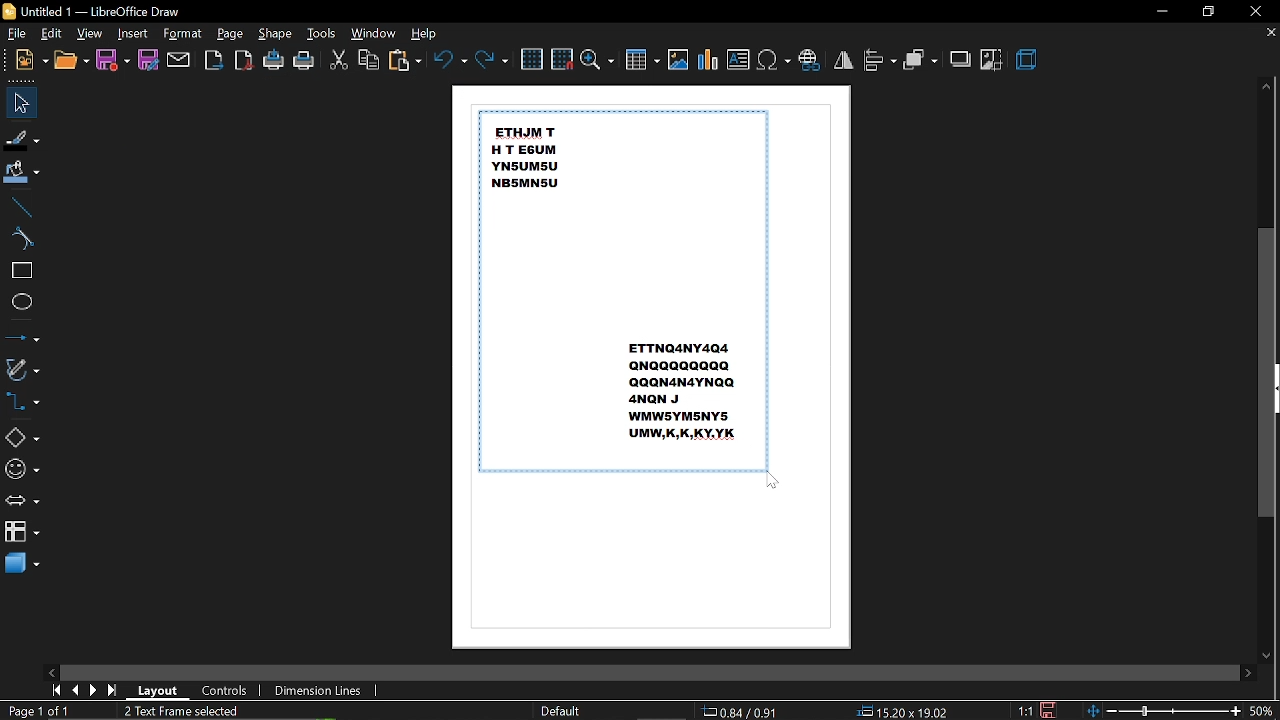 Image resolution: width=1280 pixels, height=720 pixels. I want to click on lines and arrows, so click(22, 334).